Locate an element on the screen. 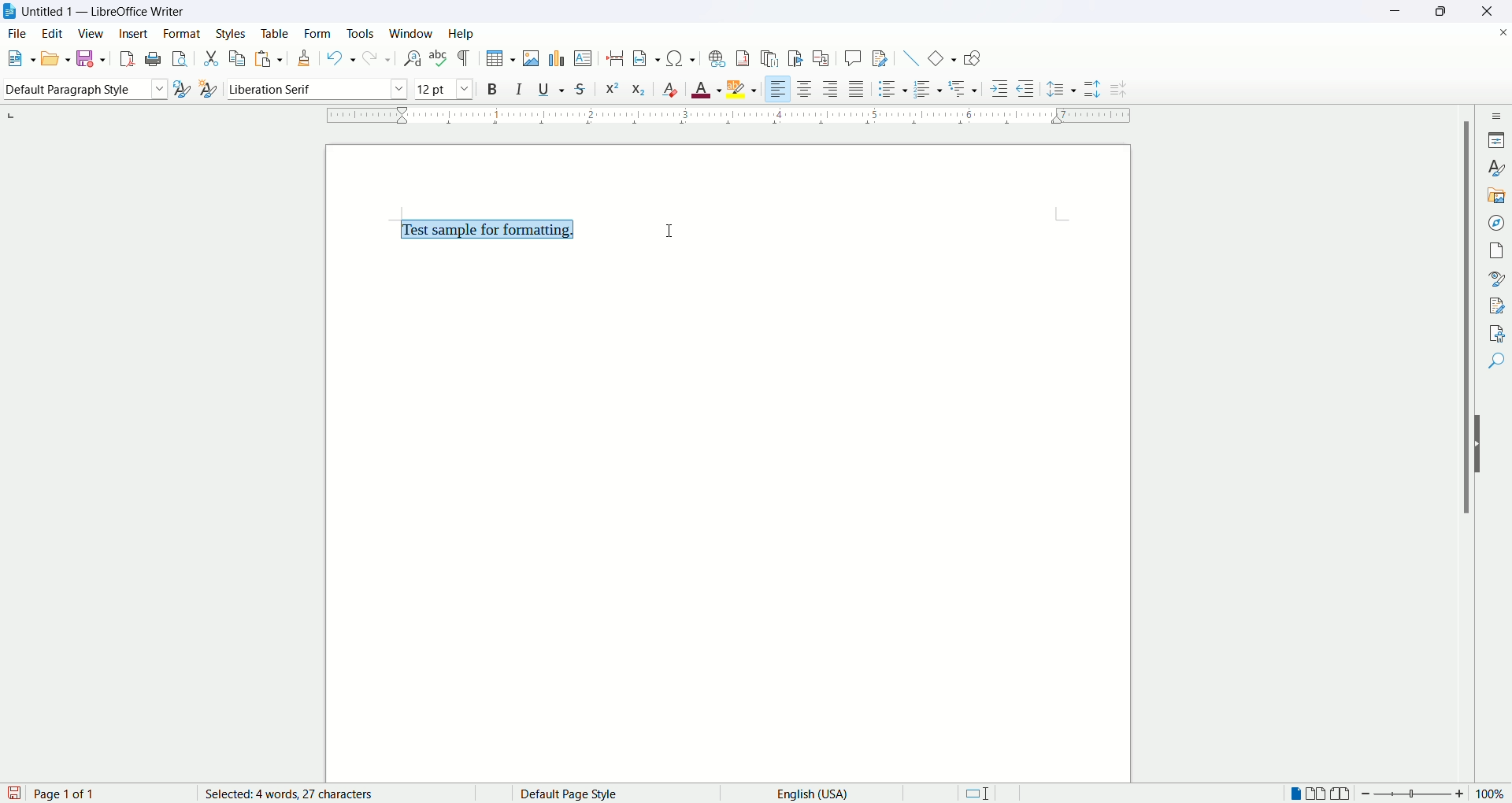 This screenshot has height=803, width=1512. font color is located at coordinates (708, 91).